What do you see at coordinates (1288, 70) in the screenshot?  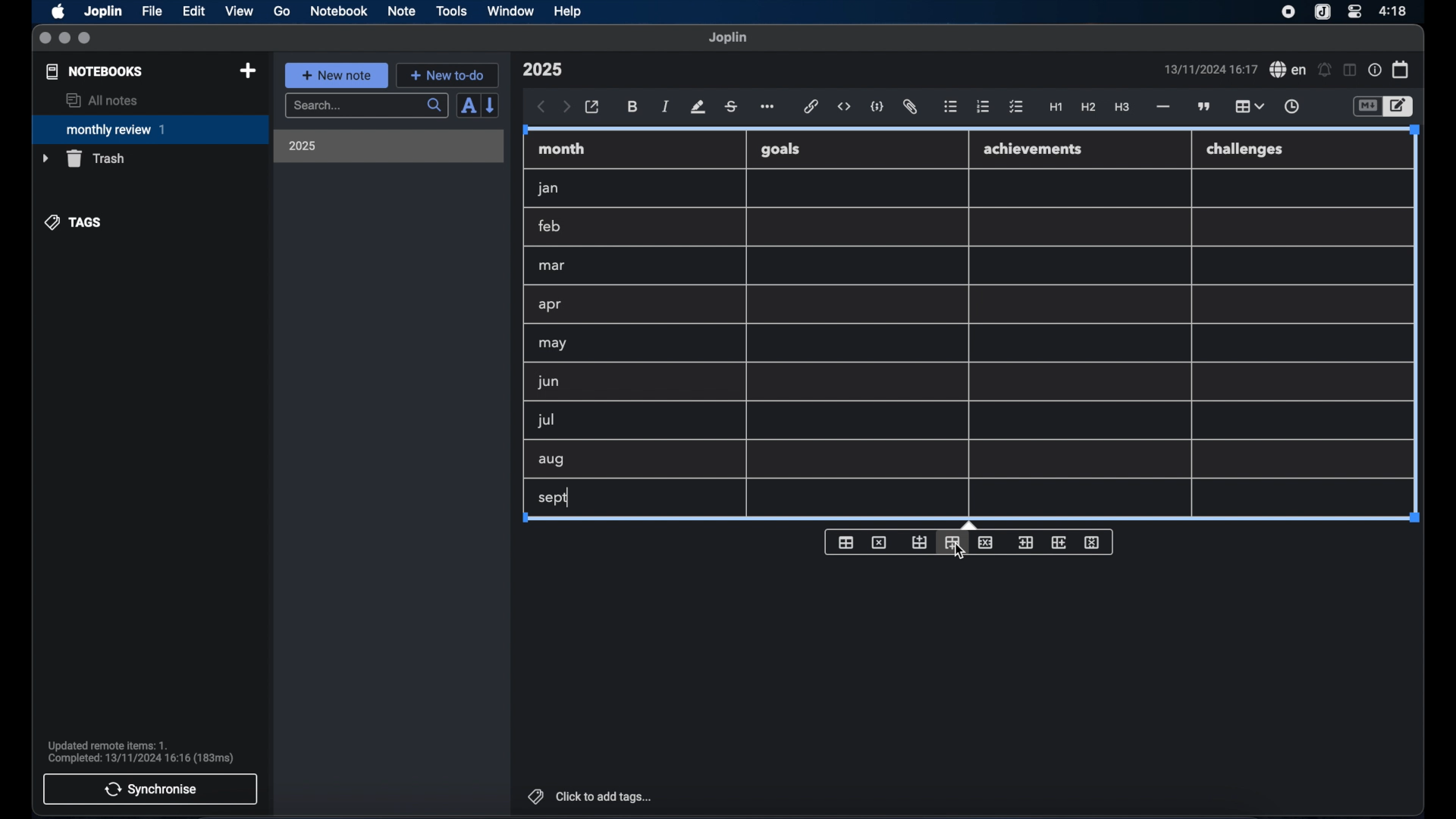 I see `spel check` at bounding box center [1288, 70].